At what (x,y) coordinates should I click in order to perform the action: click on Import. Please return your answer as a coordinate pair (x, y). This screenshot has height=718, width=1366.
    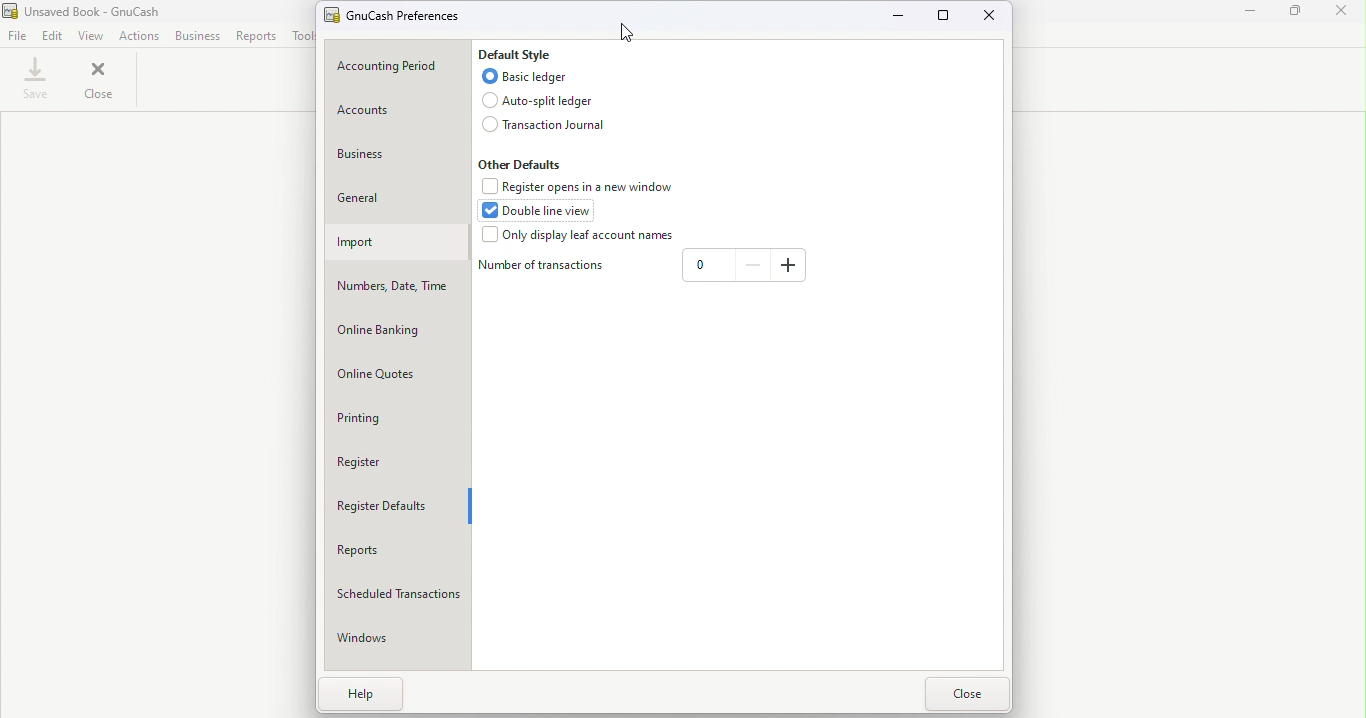
    Looking at the image, I should click on (396, 244).